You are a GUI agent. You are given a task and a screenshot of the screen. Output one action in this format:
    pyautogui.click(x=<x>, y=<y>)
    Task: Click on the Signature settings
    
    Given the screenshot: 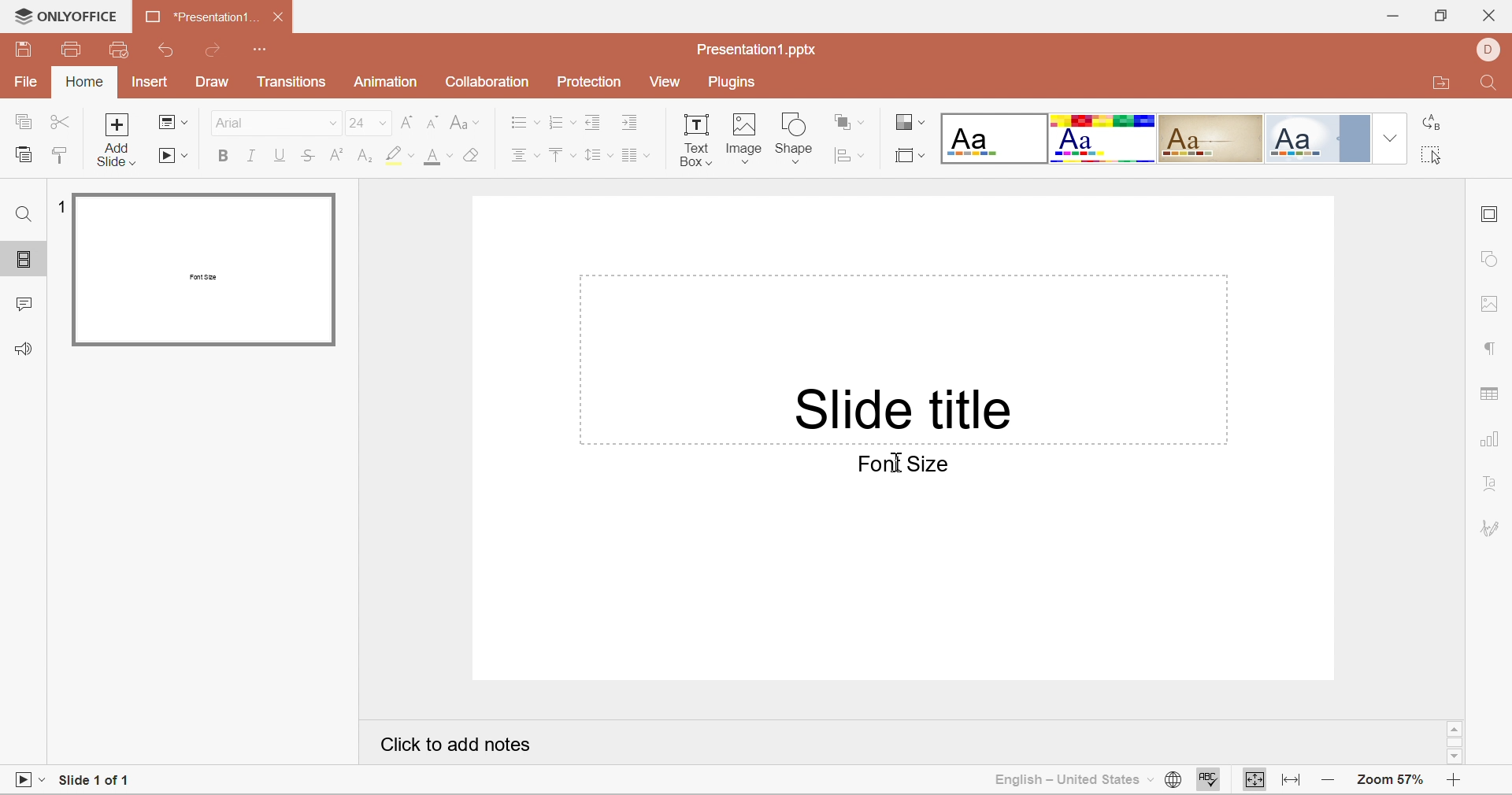 What is the action you would take?
    pyautogui.click(x=1489, y=530)
    